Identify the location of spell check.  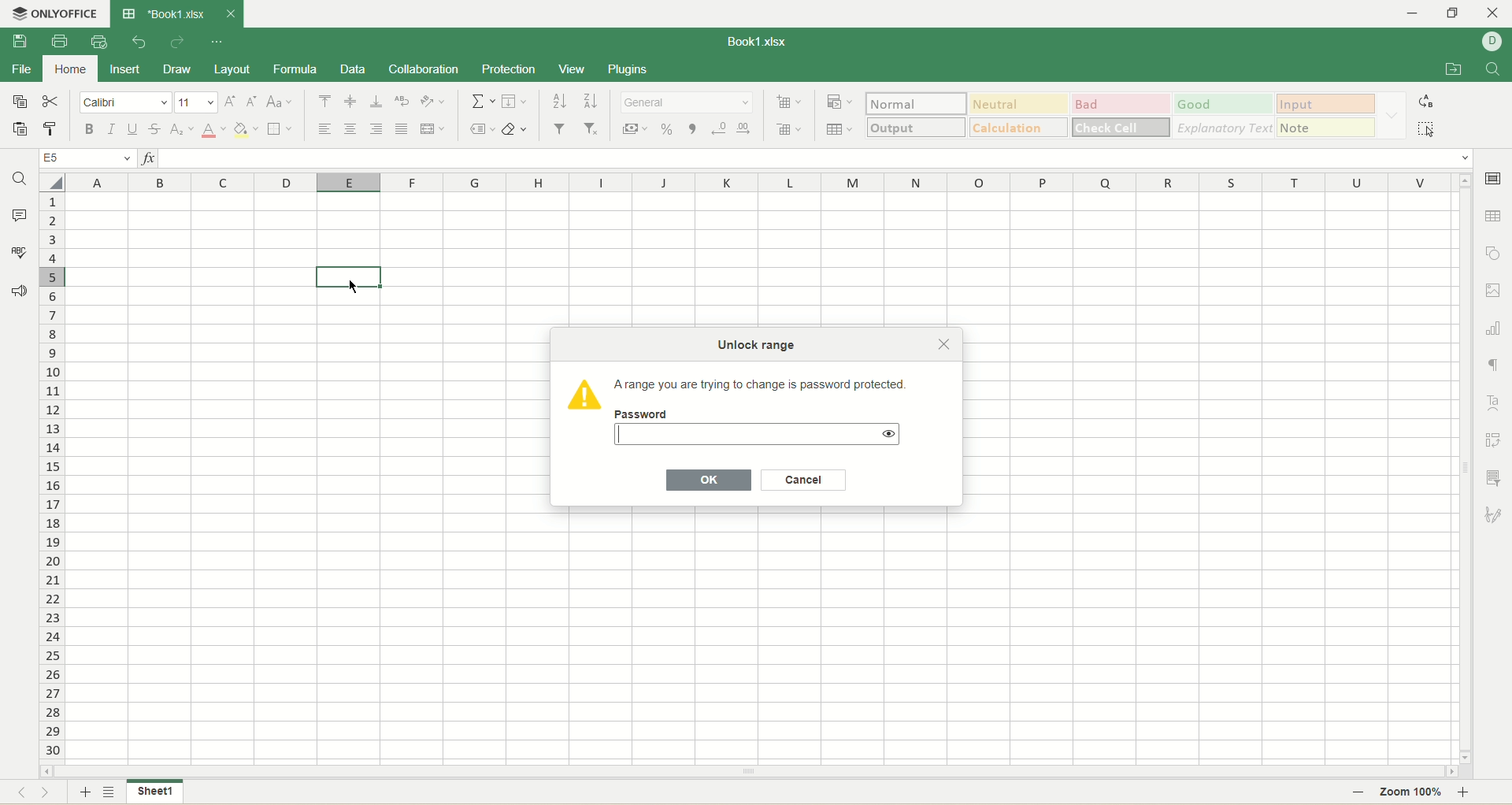
(20, 254).